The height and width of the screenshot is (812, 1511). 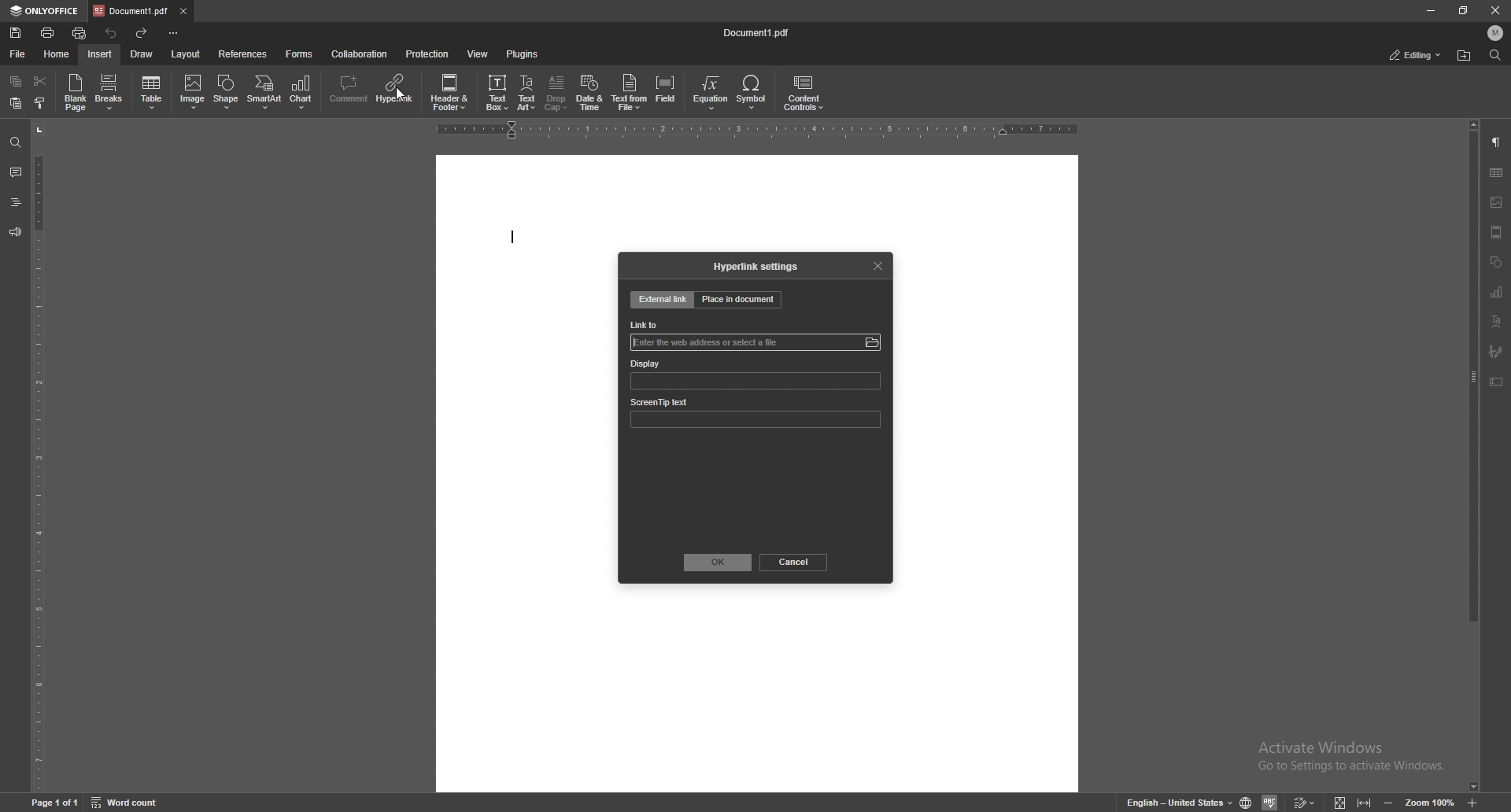 I want to click on find, so click(x=1495, y=55).